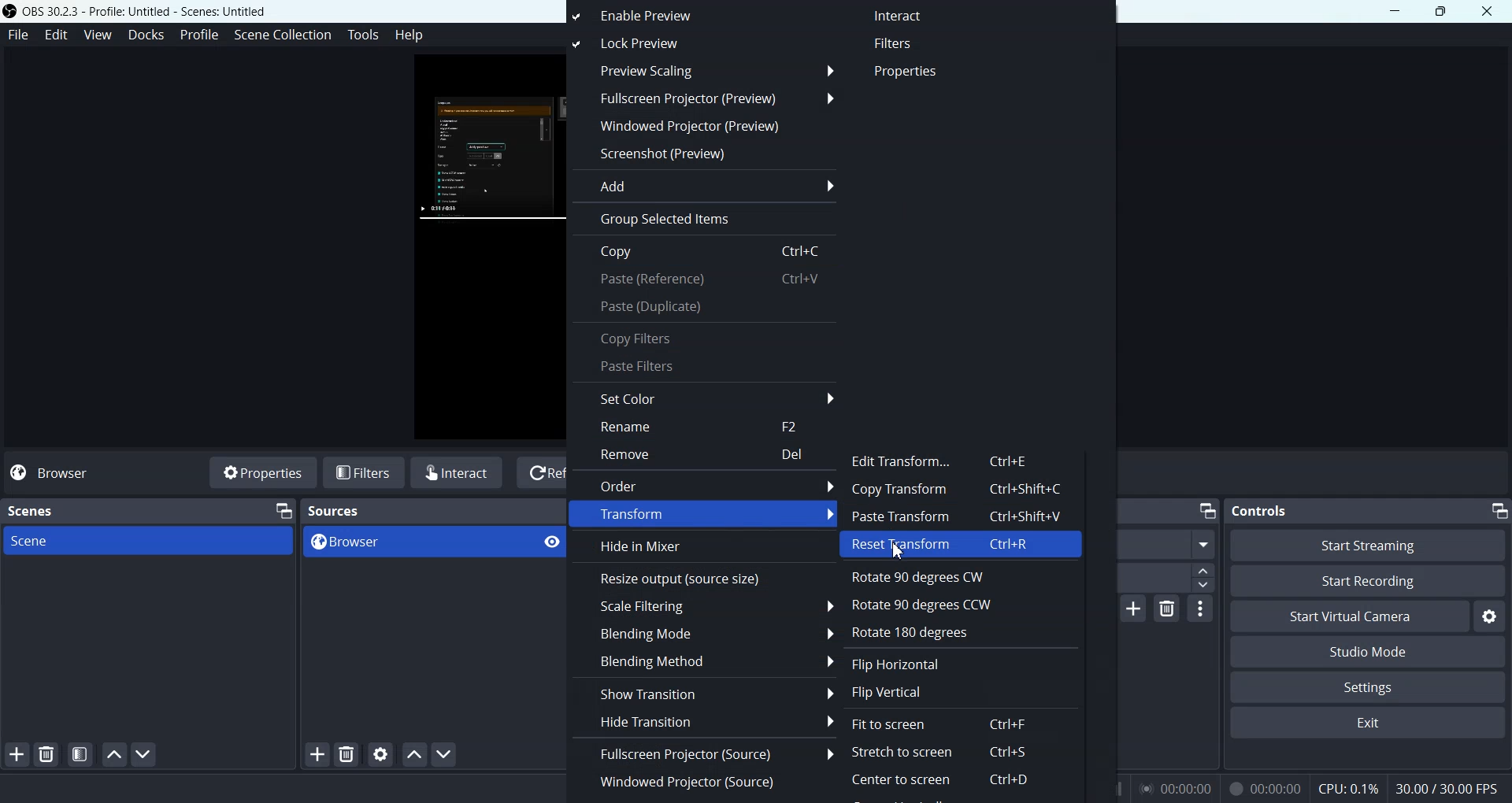 The width and height of the screenshot is (1512, 803). What do you see at coordinates (282, 35) in the screenshot?
I see `Scene Collection` at bounding box center [282, 35].